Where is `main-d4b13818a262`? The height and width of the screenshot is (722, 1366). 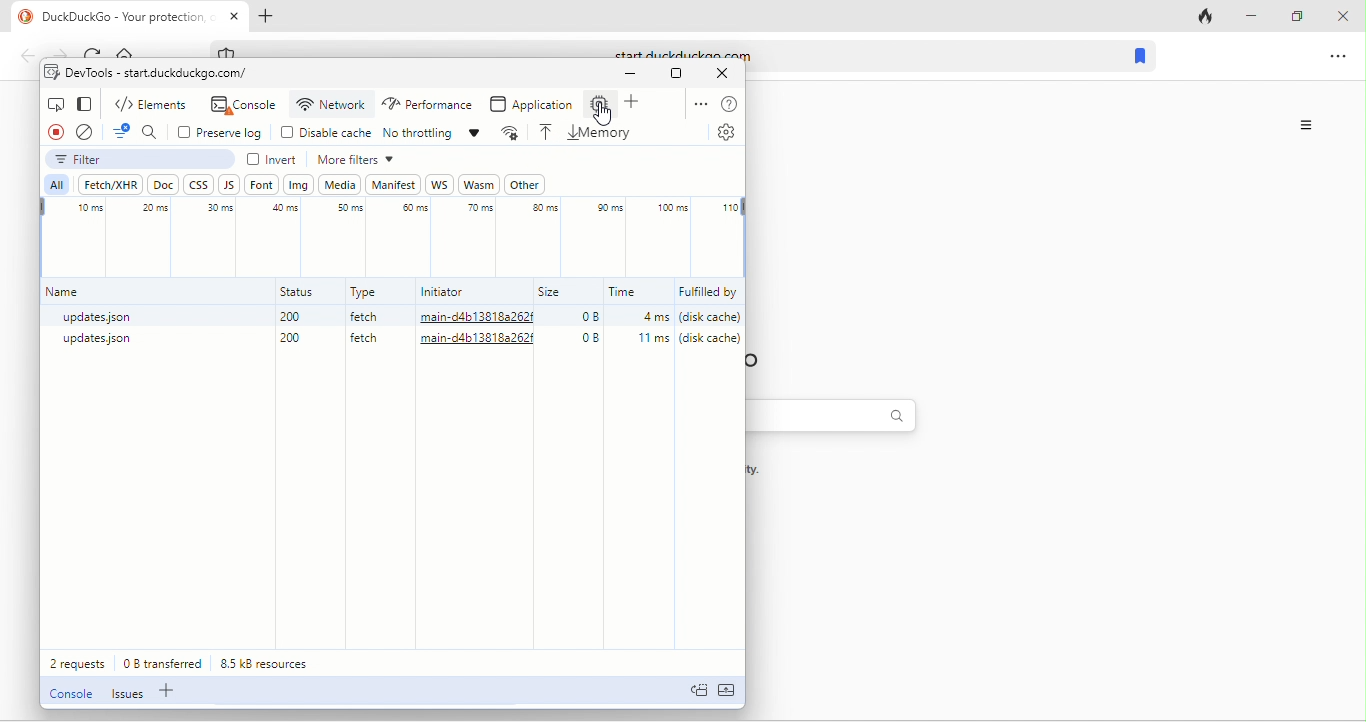 main-d4b13818a262 is located at coordinates (478, 319).